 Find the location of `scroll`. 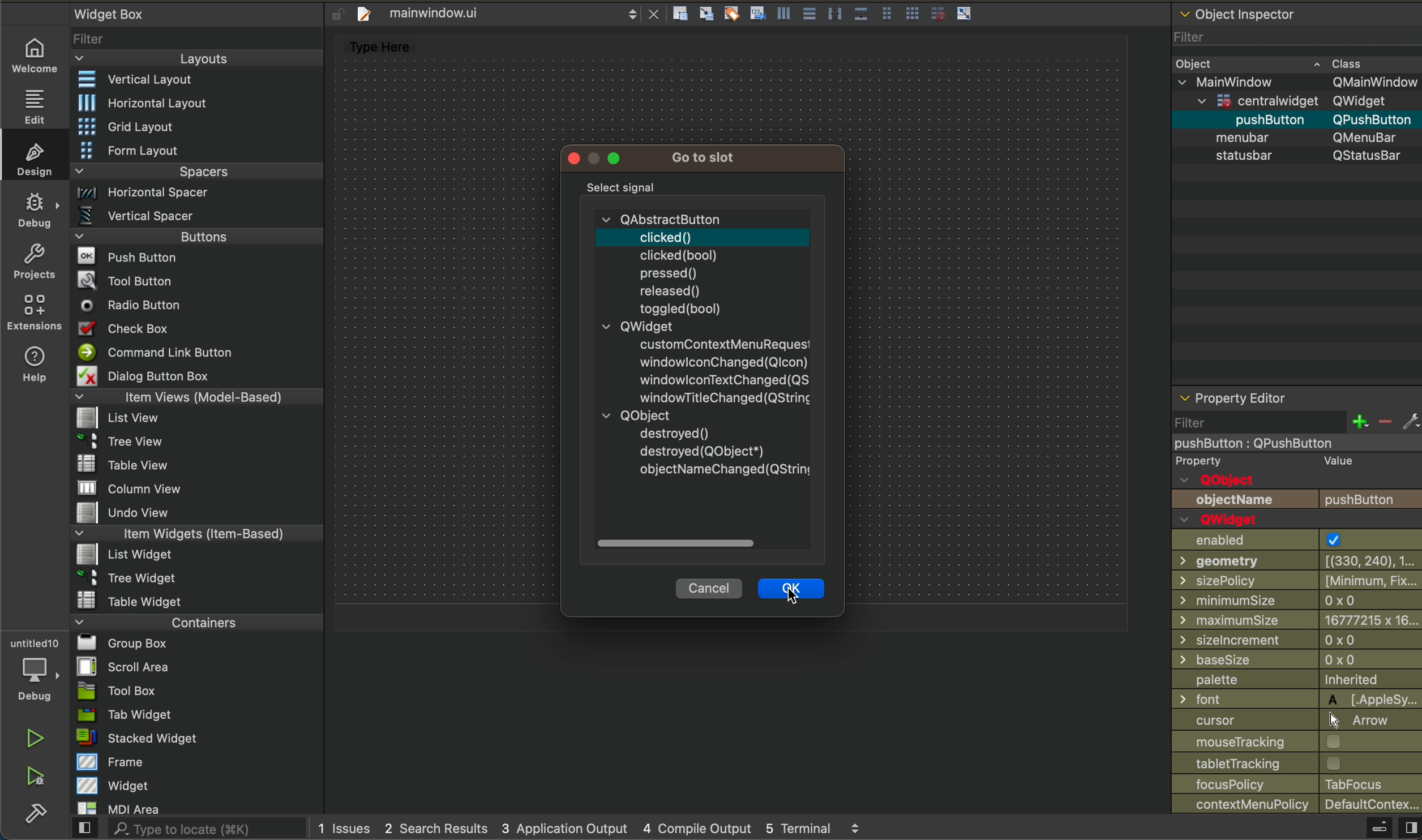

scroll is located at coordinates (631, 16).